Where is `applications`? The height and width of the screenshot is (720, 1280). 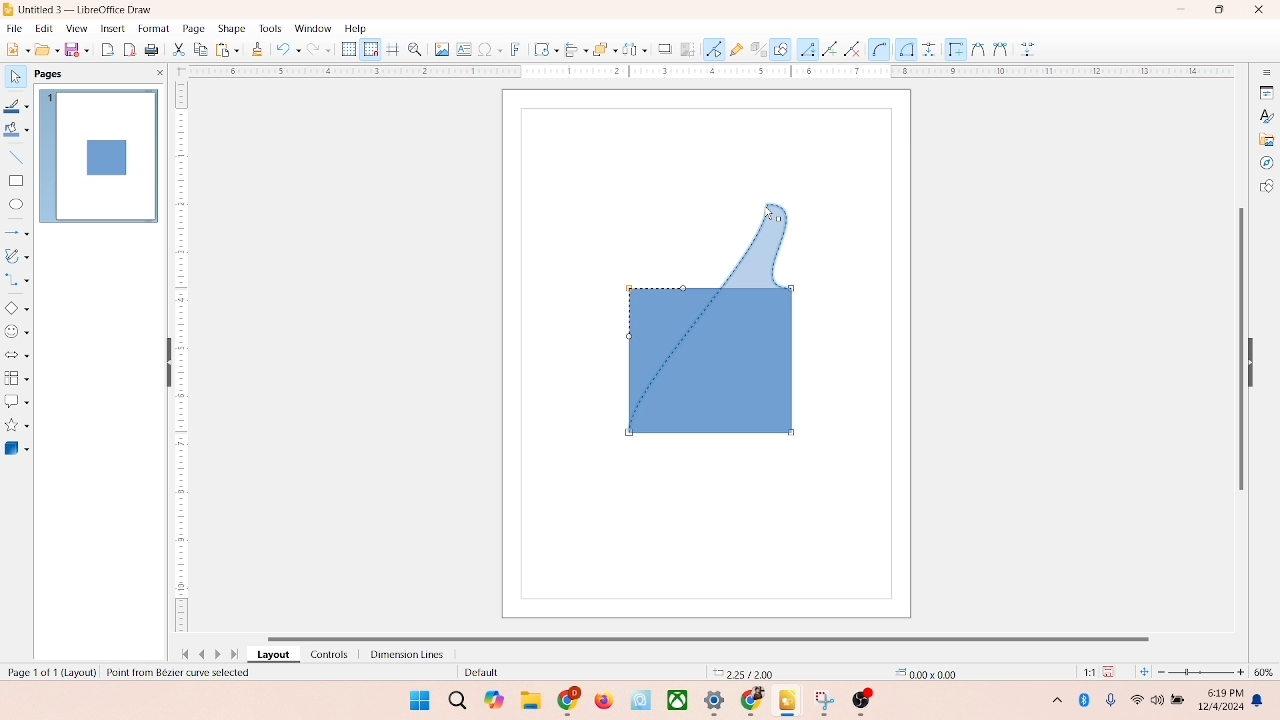
applications is located at coordinates (721, 702).